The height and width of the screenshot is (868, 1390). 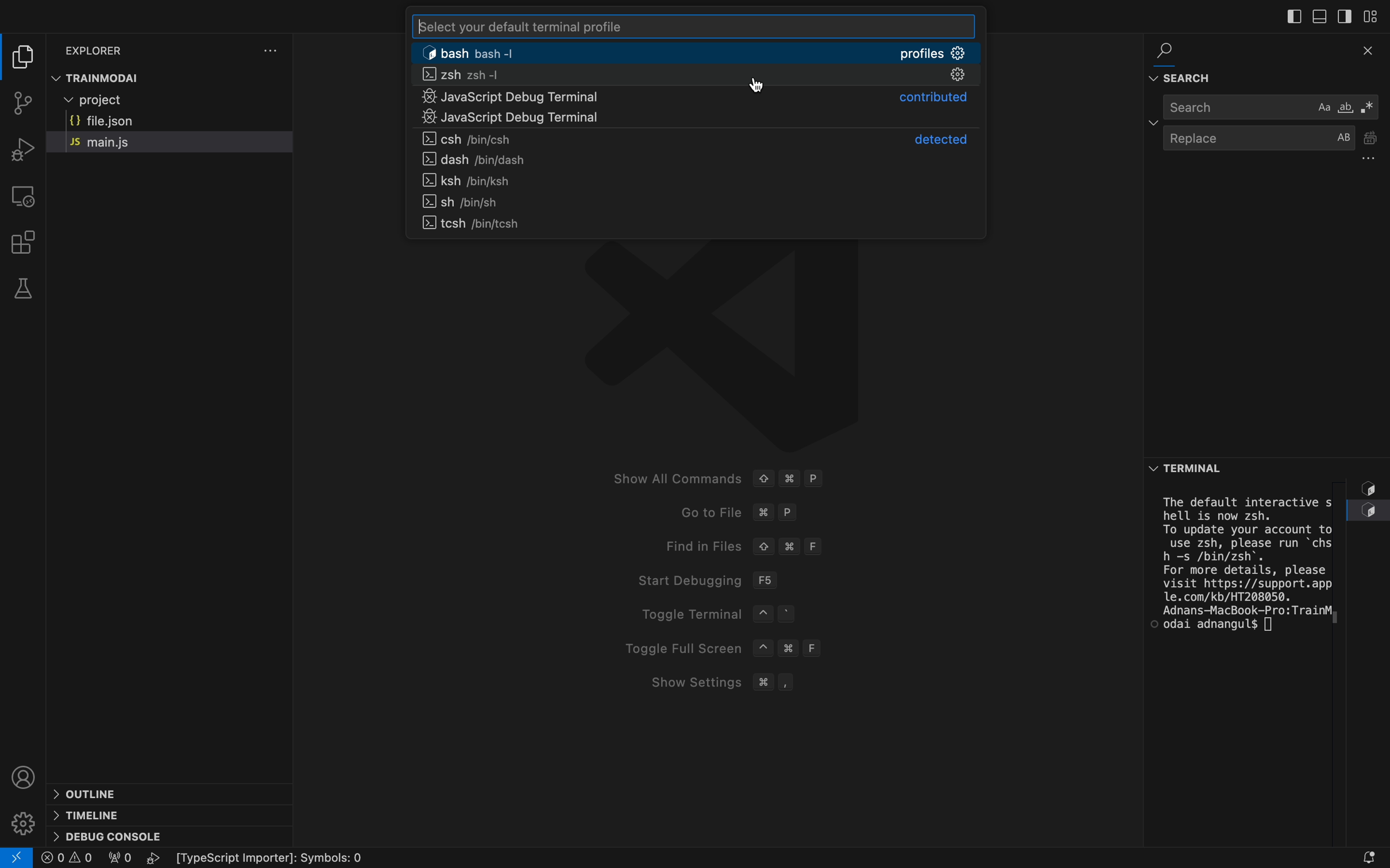 What do you see at coordinates (108, 77) in the screenshot?
I see `TRAINMODAI` at bounding box center [108, 77].